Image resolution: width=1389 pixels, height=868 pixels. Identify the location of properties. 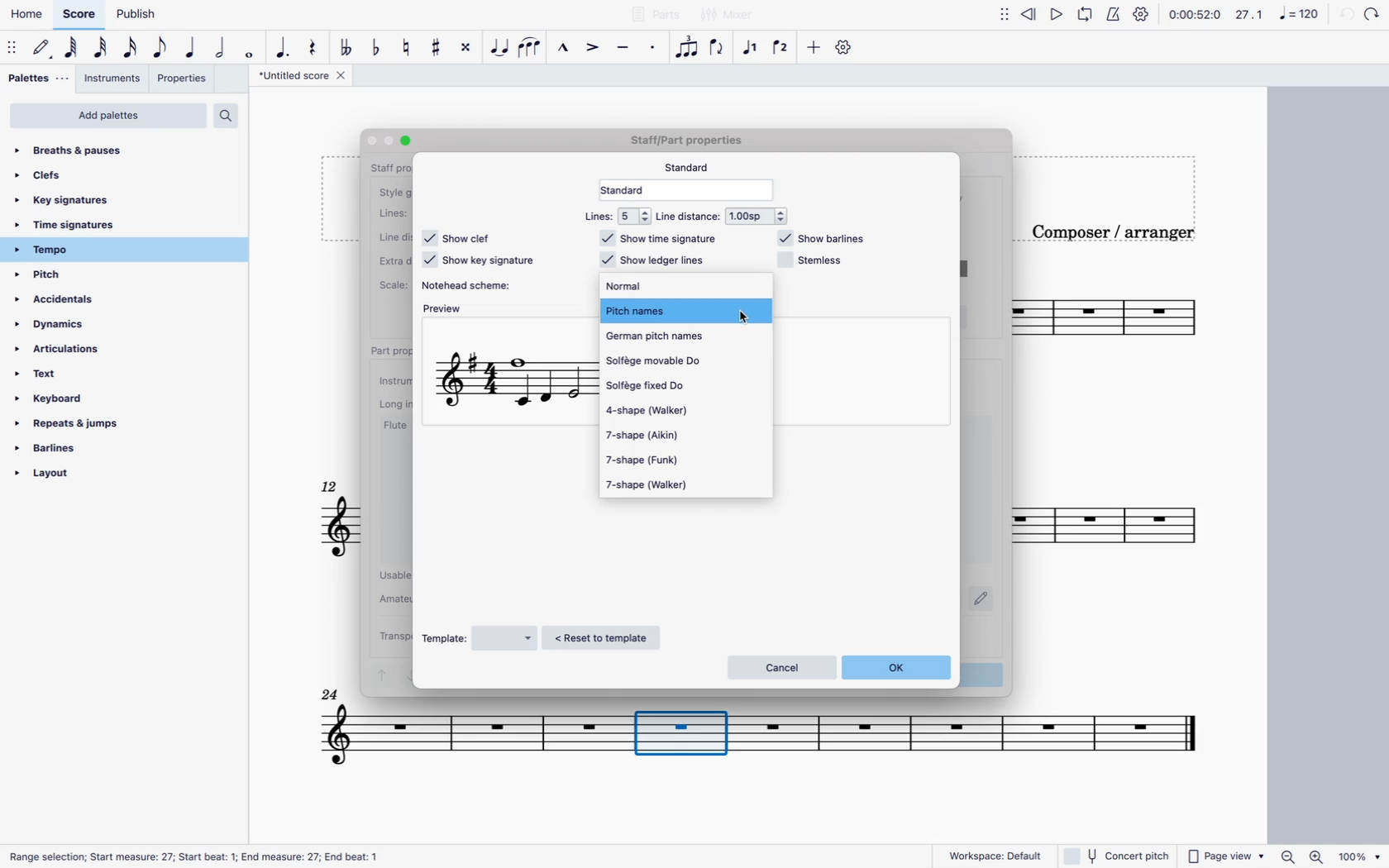
(187, 81).